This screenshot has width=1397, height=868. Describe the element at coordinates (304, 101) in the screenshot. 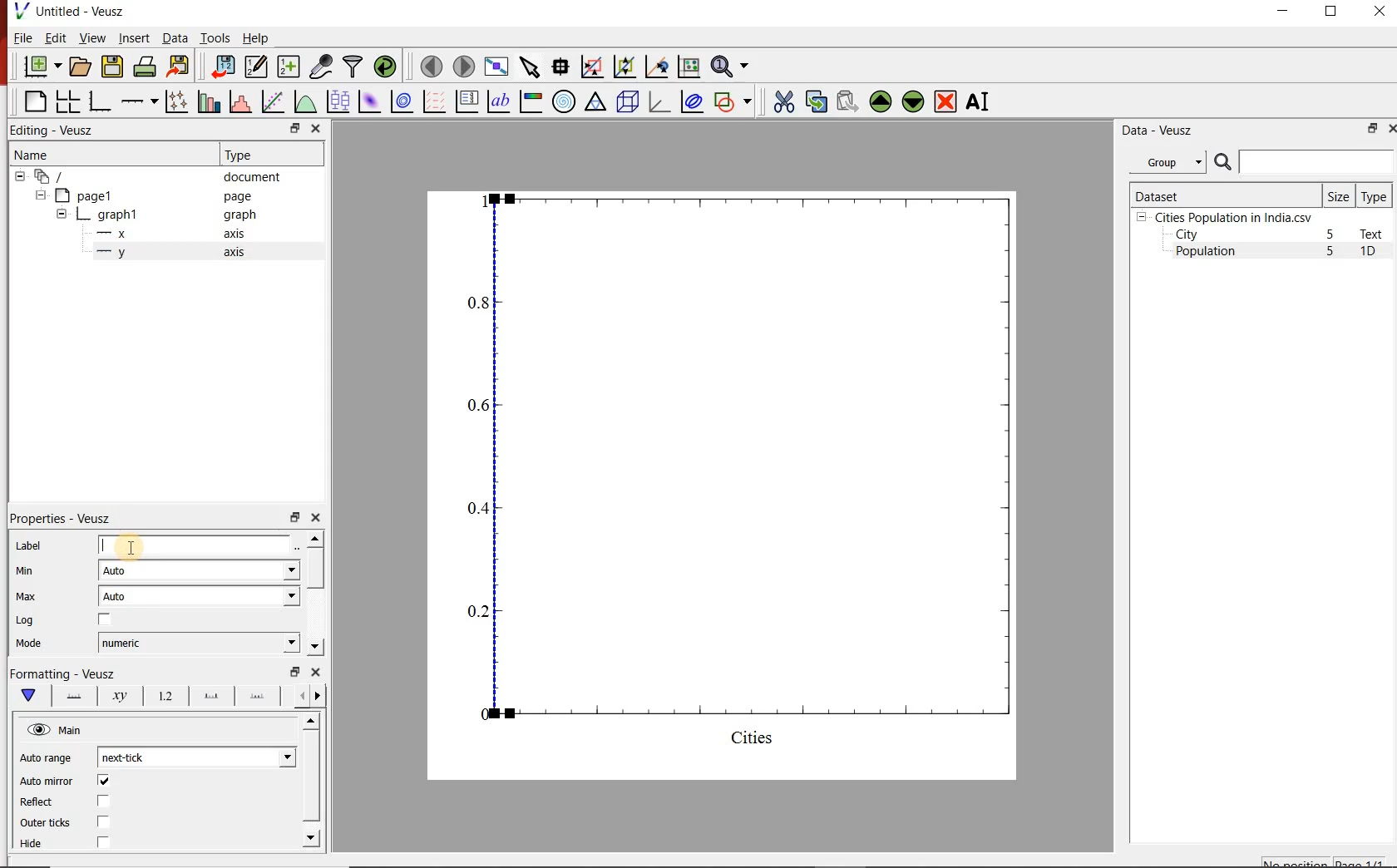

I see `plot a function` at that location.